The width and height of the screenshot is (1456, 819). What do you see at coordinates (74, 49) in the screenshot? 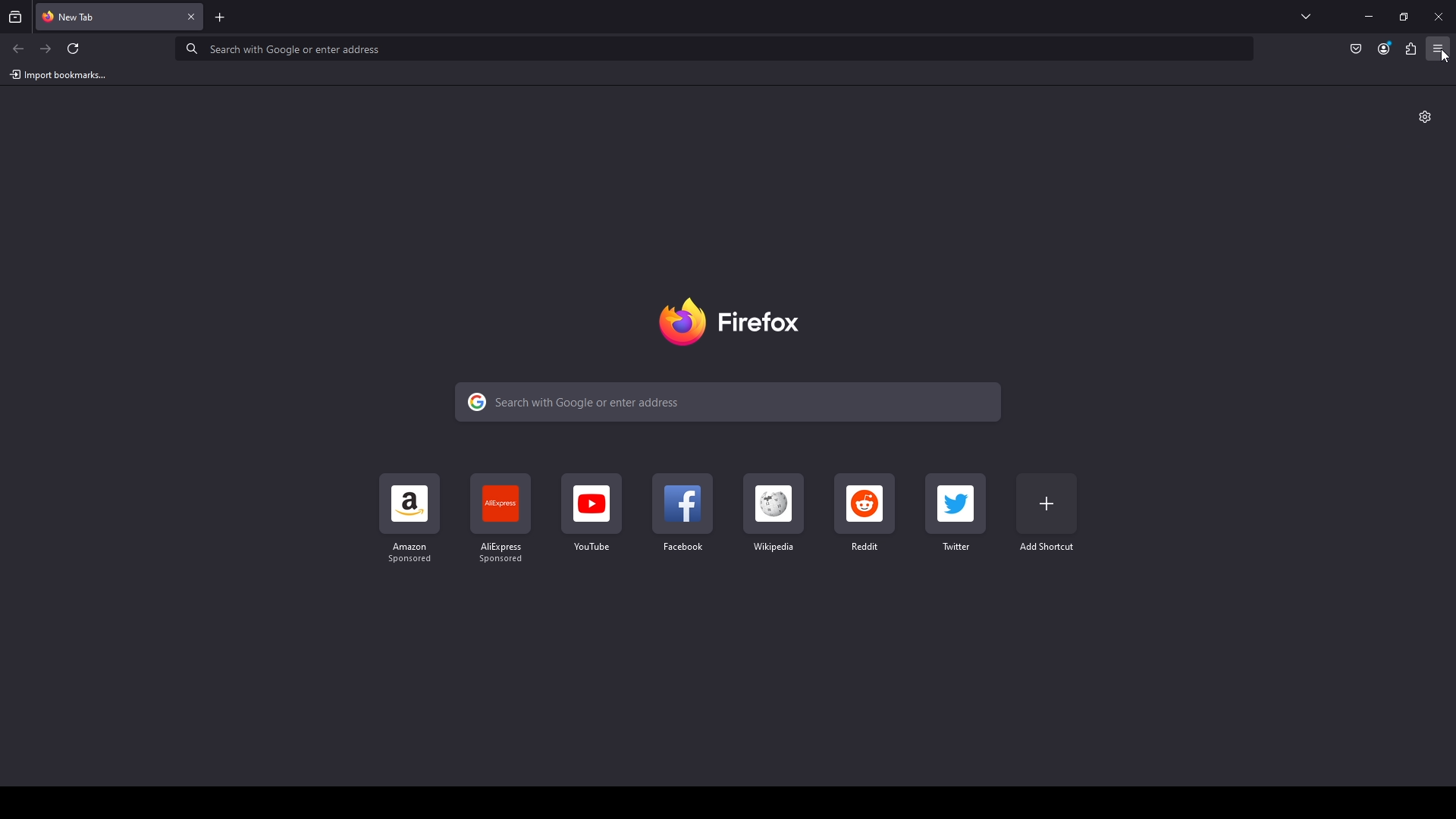
I see `Refresh` at bounding box center [74, 49].